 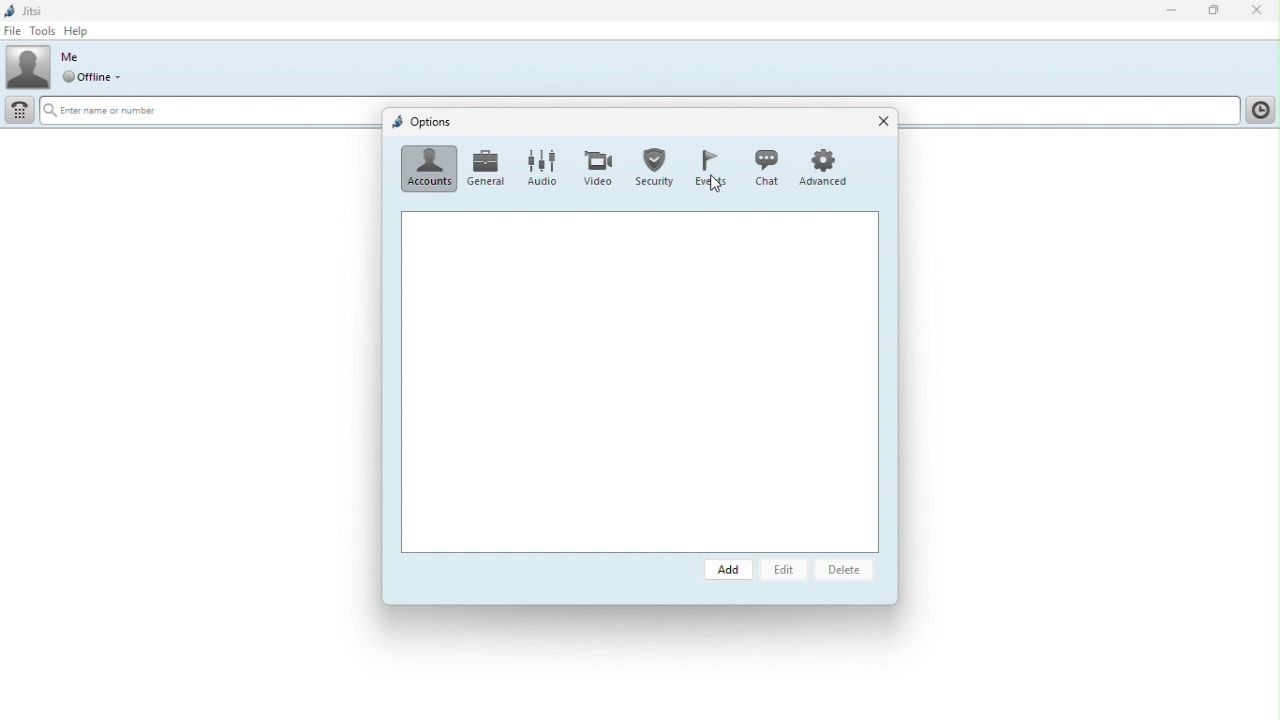 I want to click on Accounts, so click(x=430, y=170).